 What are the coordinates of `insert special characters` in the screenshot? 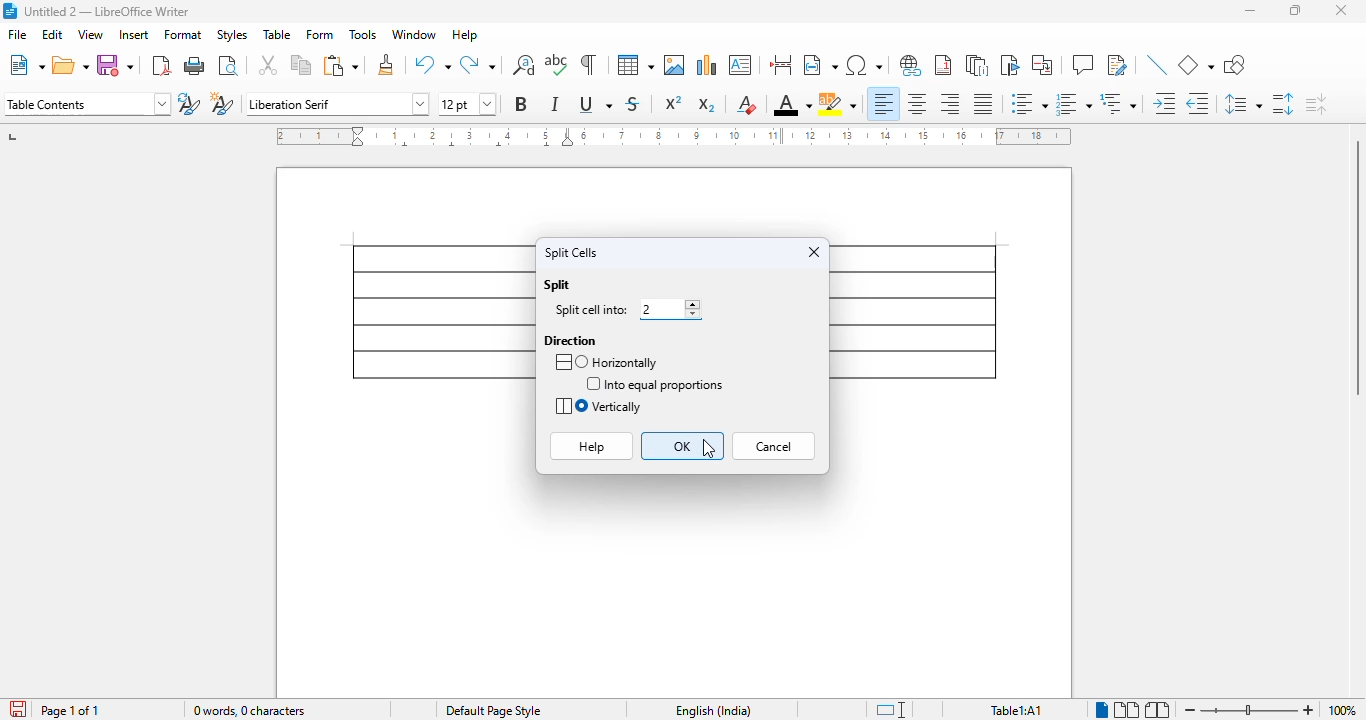 It's located at (865, 65).